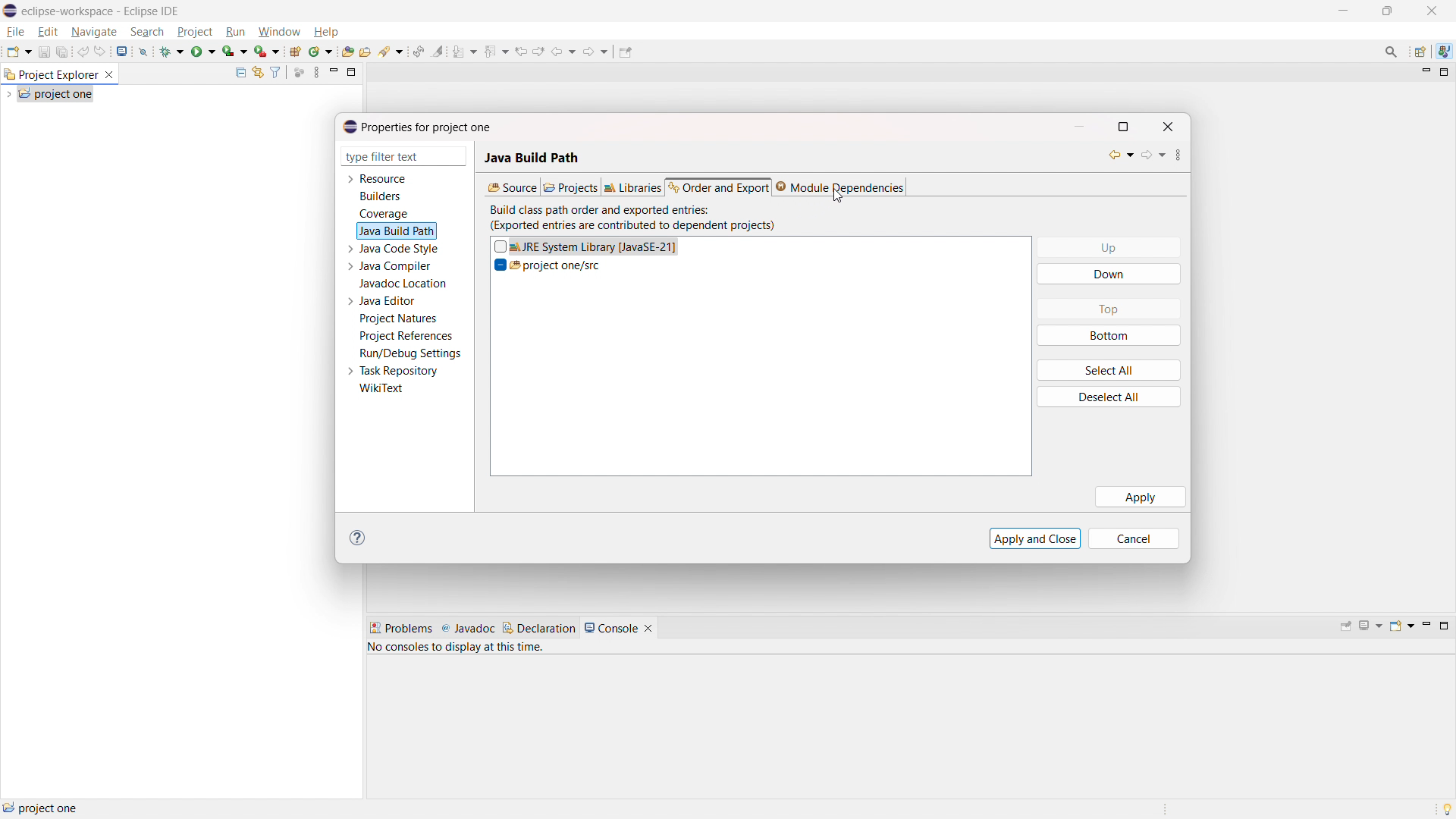 The width and height of the screenshot is (1456, 819). I want to click on javadoc location, so click(404, 284).